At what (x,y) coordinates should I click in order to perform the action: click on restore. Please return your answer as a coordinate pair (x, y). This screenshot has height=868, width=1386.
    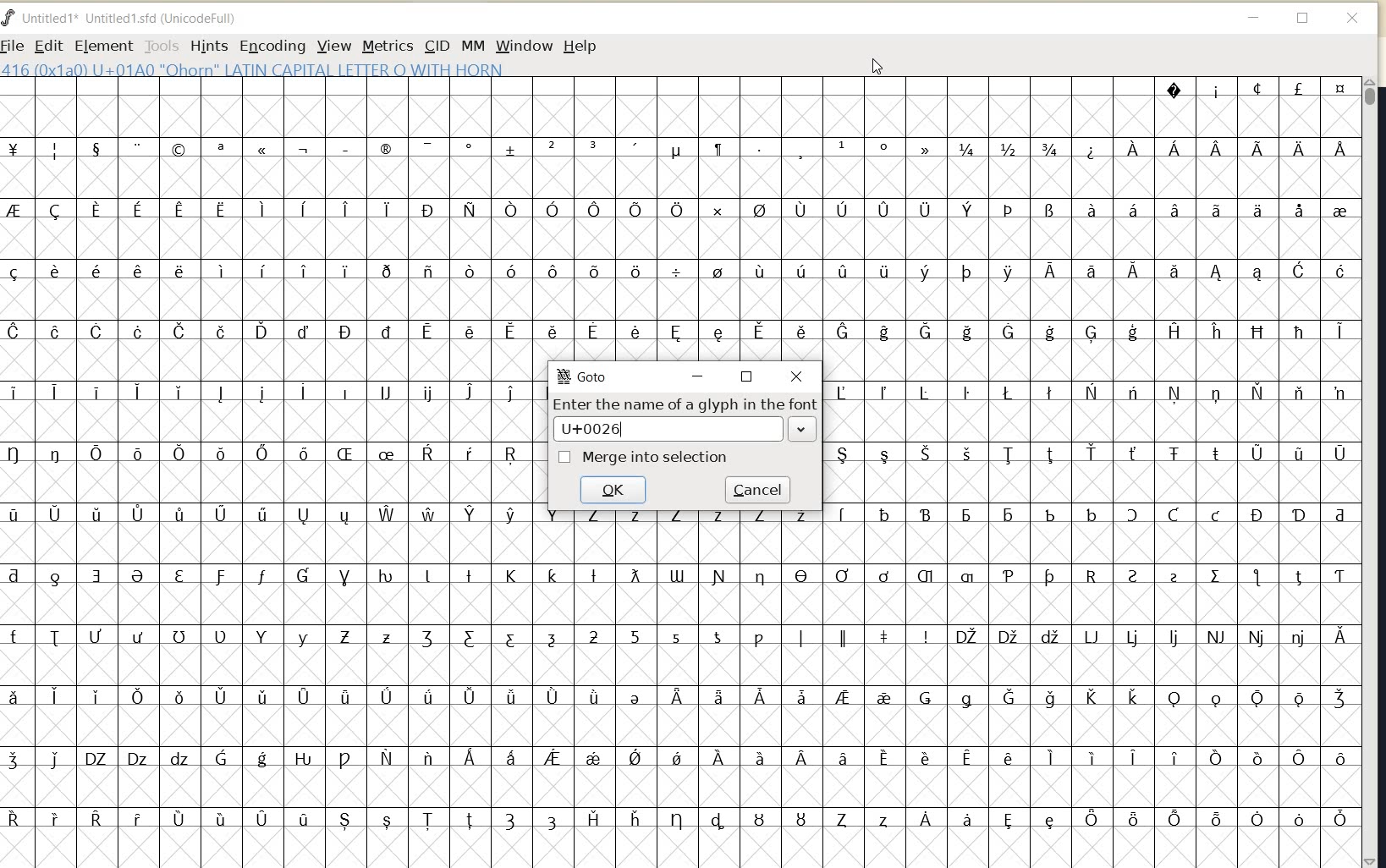
    Looking at the image, I should click on (751, 375).